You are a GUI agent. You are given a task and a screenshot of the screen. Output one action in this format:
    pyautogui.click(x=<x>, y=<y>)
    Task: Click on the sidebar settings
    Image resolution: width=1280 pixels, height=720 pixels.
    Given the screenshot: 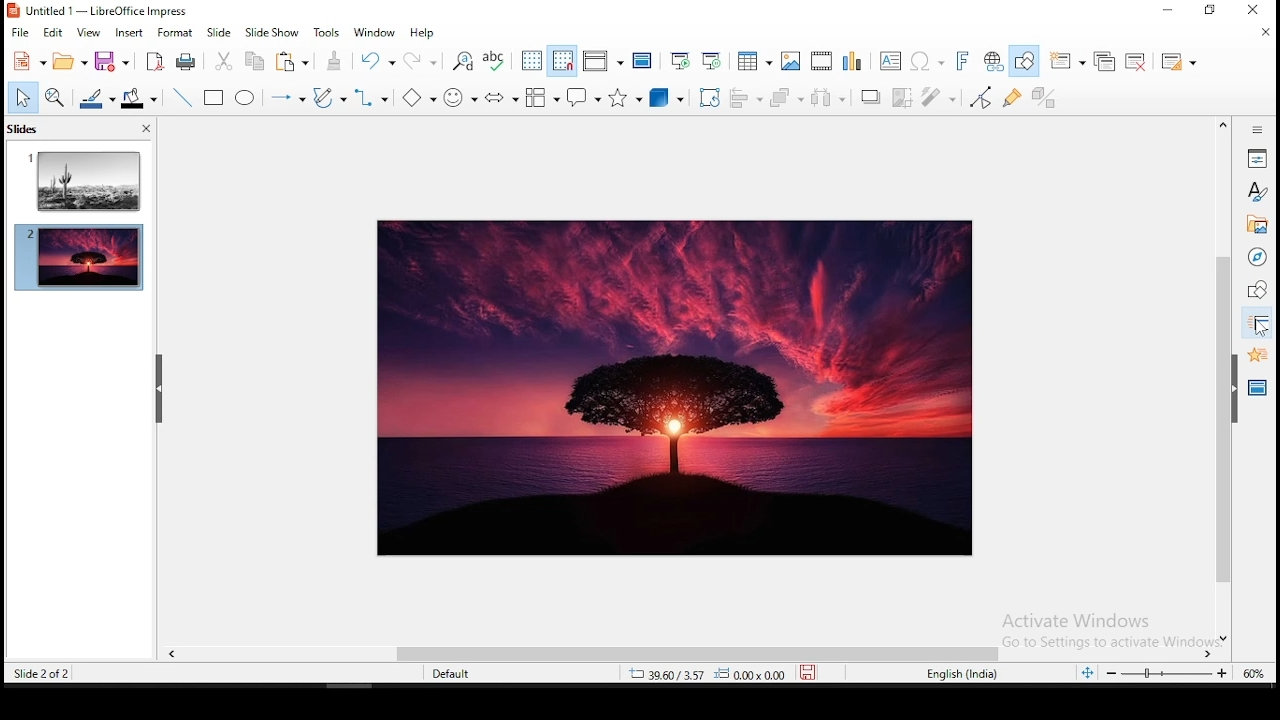 What is the action you would take?
    pyautogui.click(x=1259, y=130)
    